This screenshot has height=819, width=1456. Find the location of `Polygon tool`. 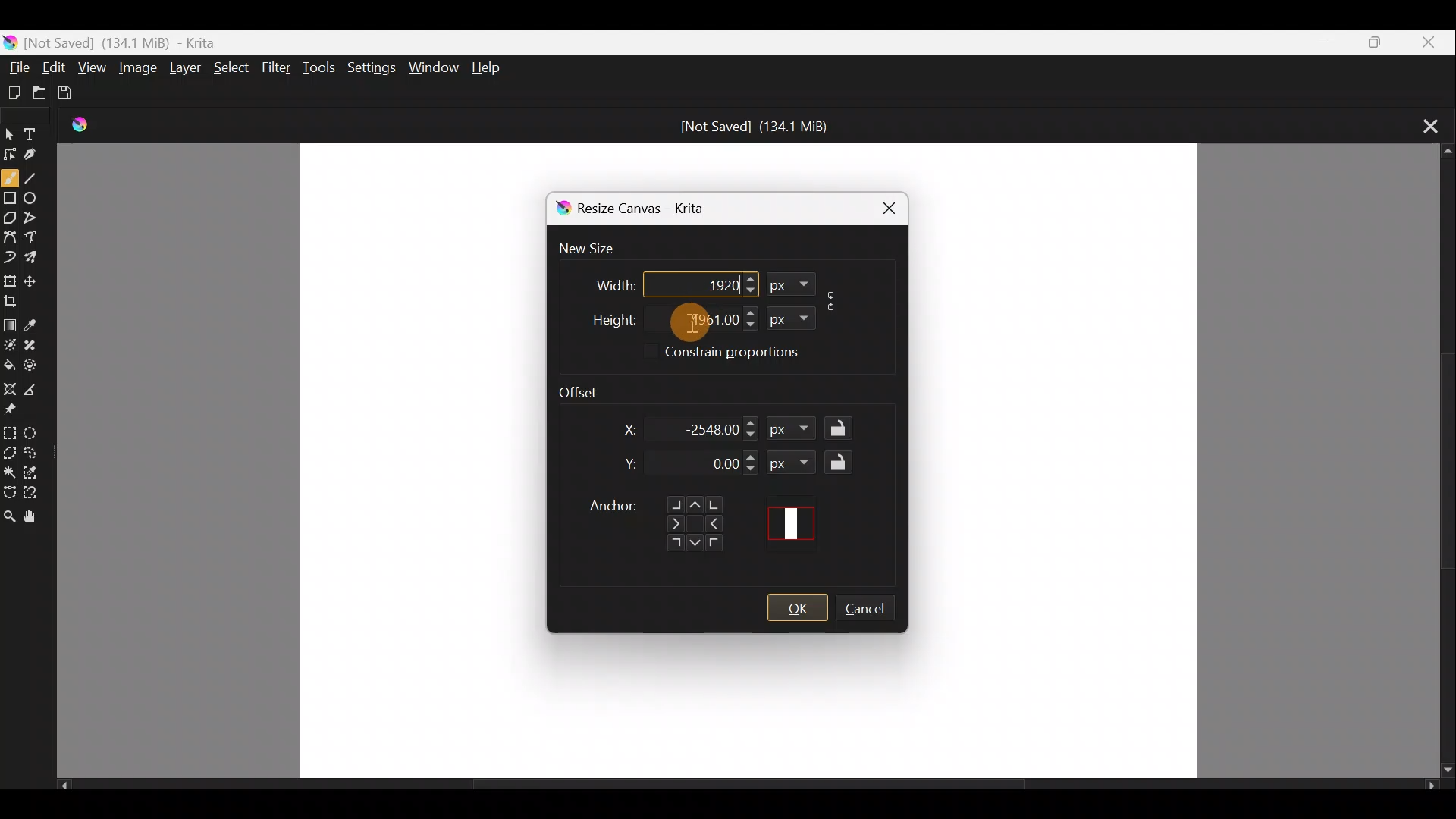

Polygon tool is located at coordinates (11, 219).